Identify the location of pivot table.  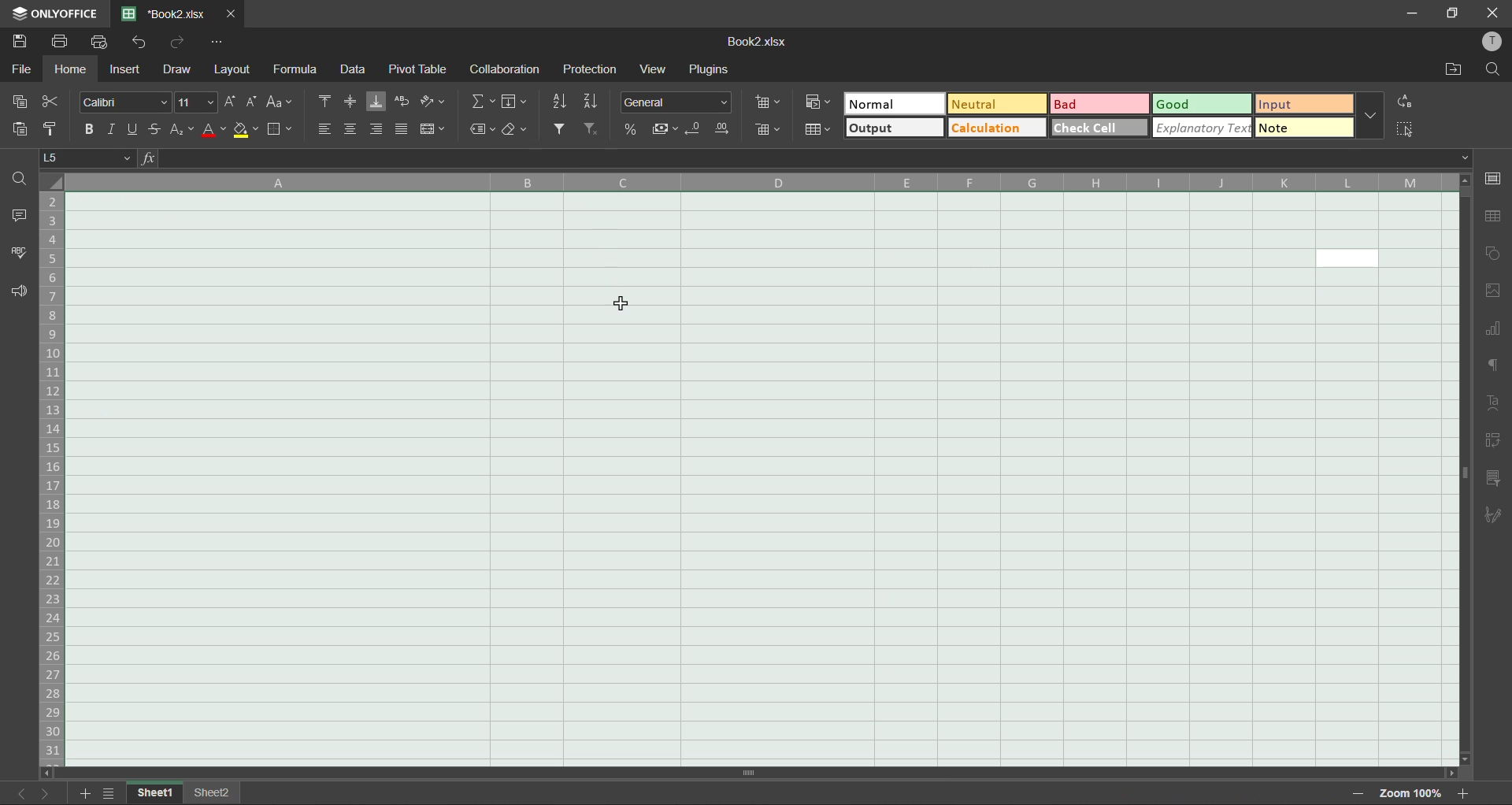
(1494, 442).